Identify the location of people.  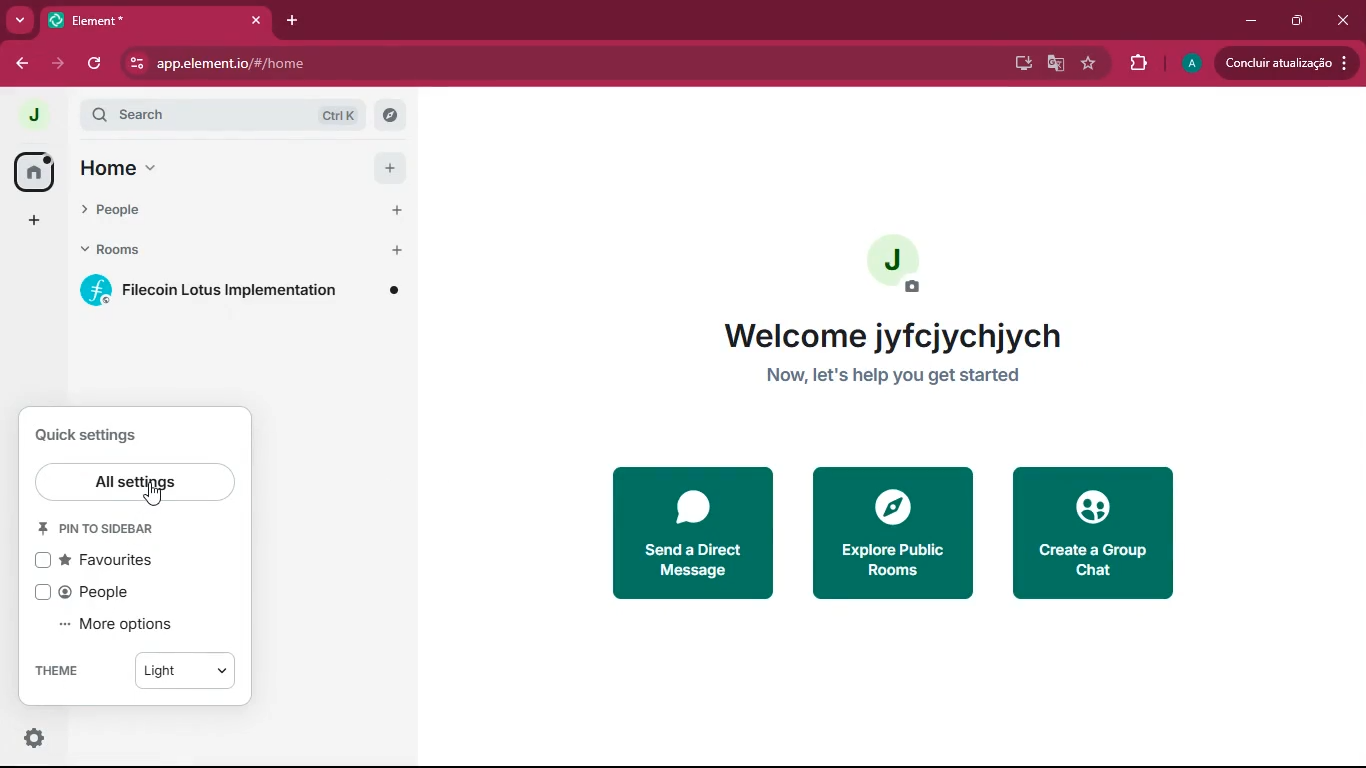
(208, 214).